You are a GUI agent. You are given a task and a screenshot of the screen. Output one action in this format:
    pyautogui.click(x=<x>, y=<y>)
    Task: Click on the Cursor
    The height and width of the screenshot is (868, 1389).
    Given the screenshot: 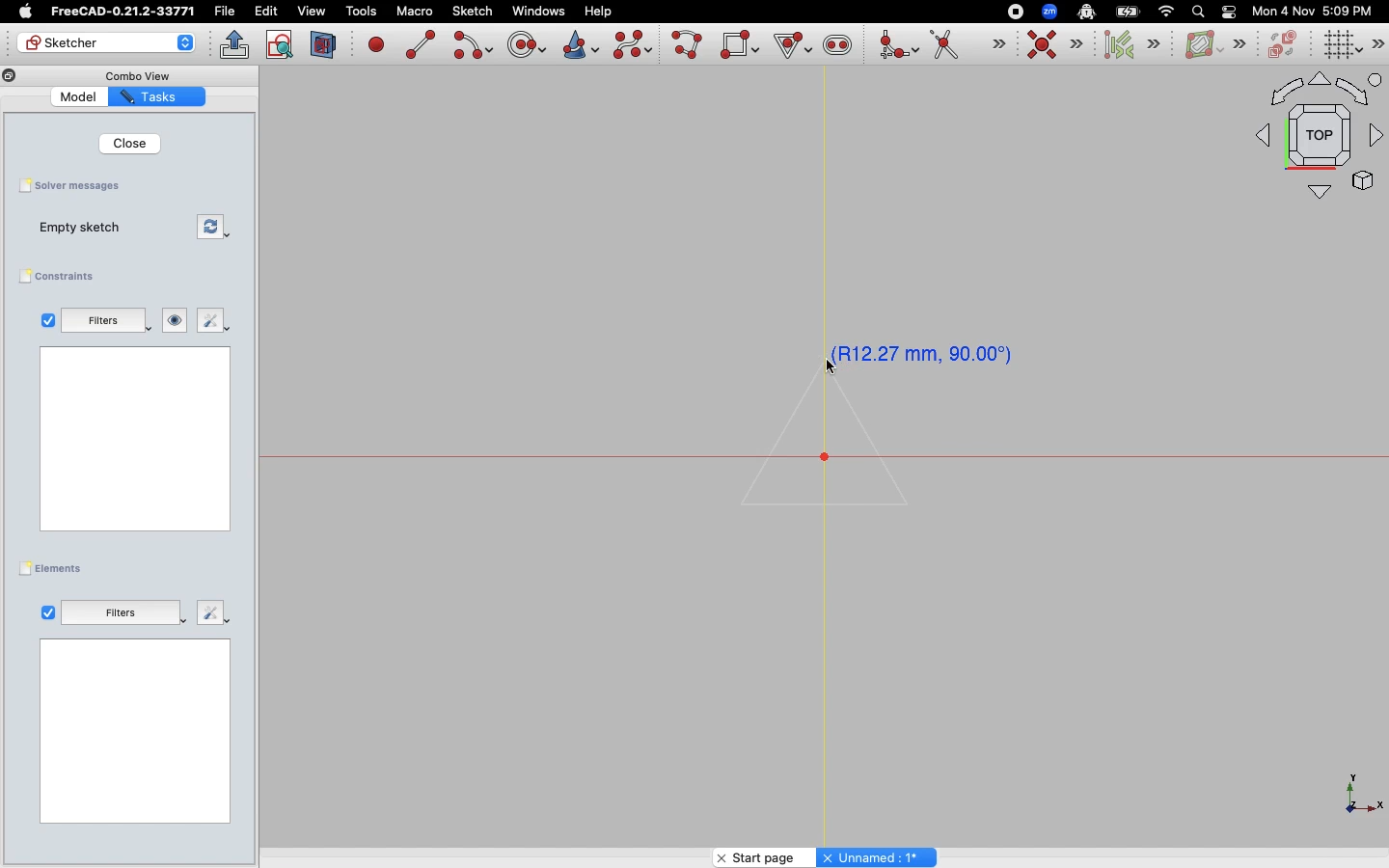 What is the action you would take?
    pyautogui.click(x=788, y=43)
    